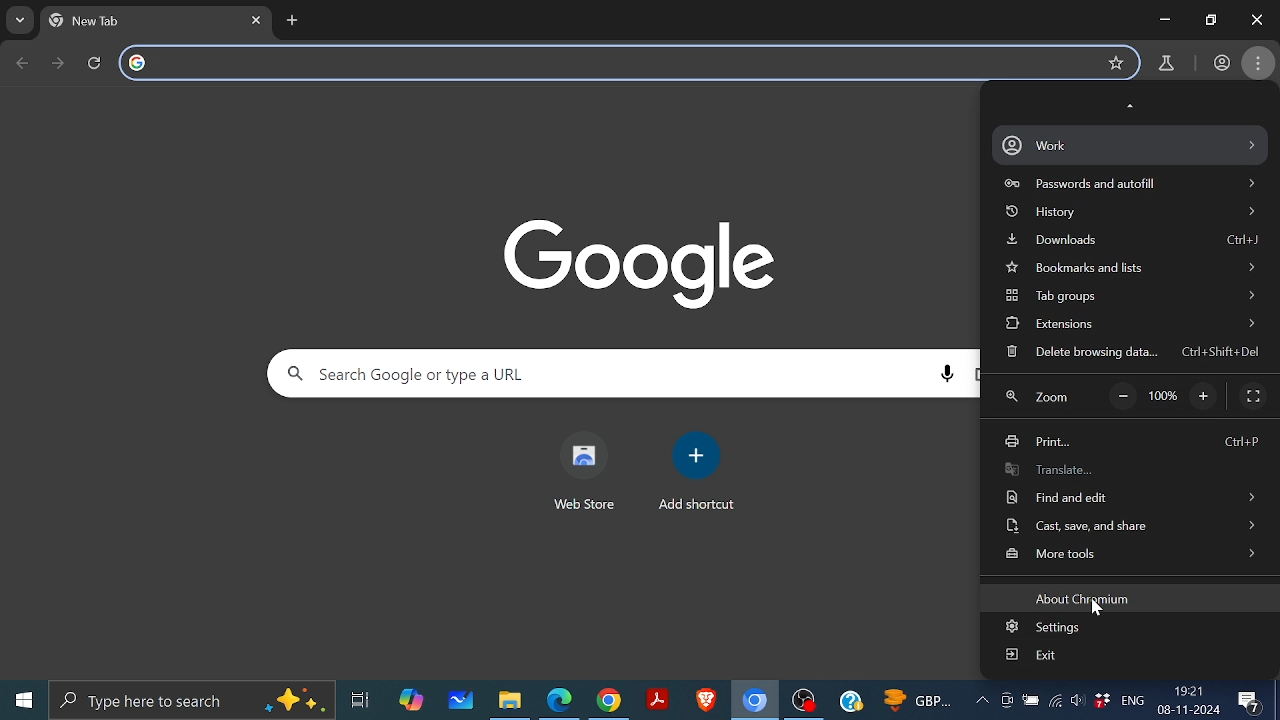 Image resolution: width=1280 pixels, height=720 pixels. What do you see at coordinates (981, 705) in the screenshot?
I see `Show hidden Icon` at bounding box center [981, 705].